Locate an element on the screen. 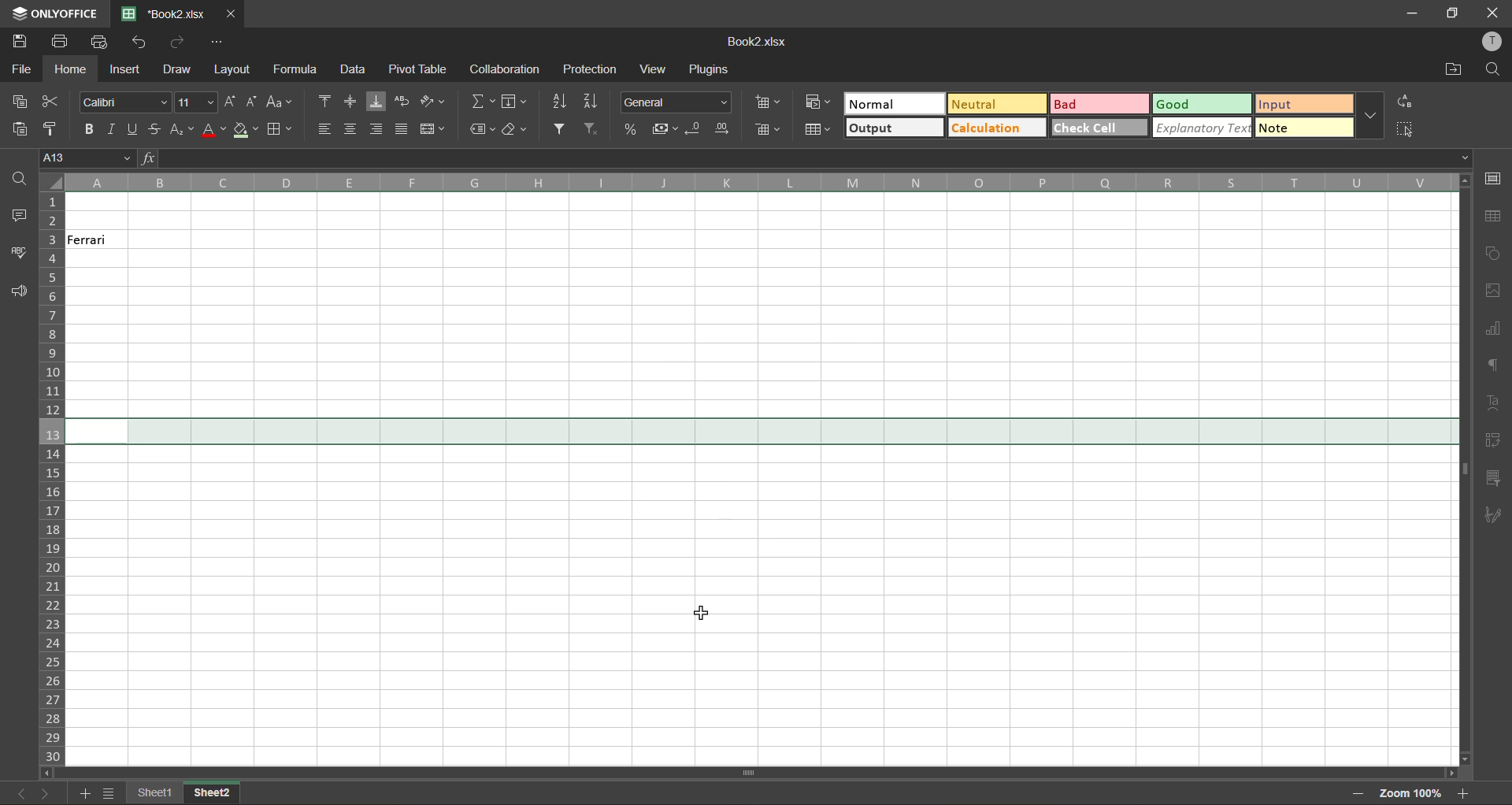  italic is located at coordinates (112, 129).